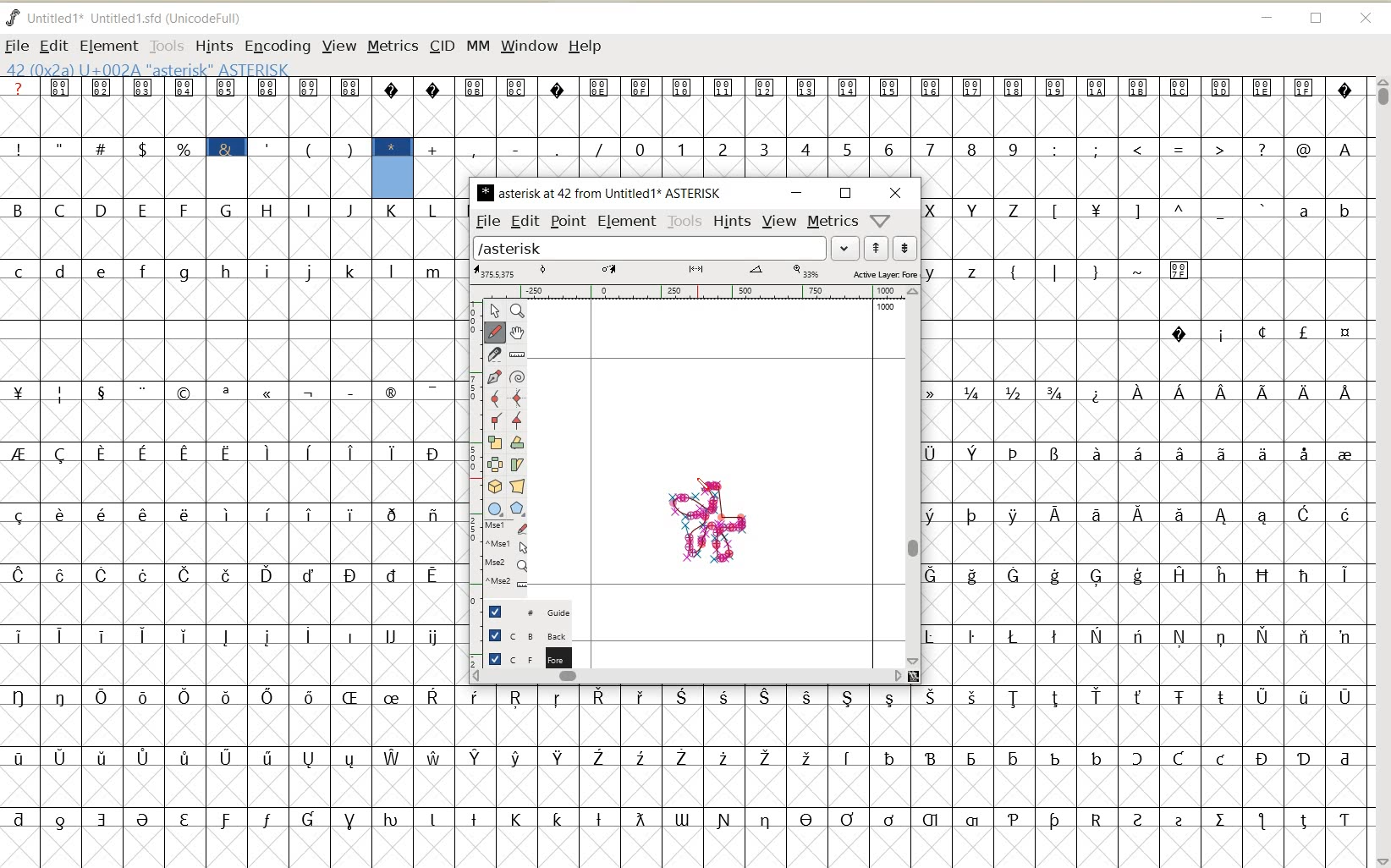 The width and height of the screenshot is (1391, 868). Describe the element at coordinates (393, 168) in the screenshot. I see `glyph selected` at that location.